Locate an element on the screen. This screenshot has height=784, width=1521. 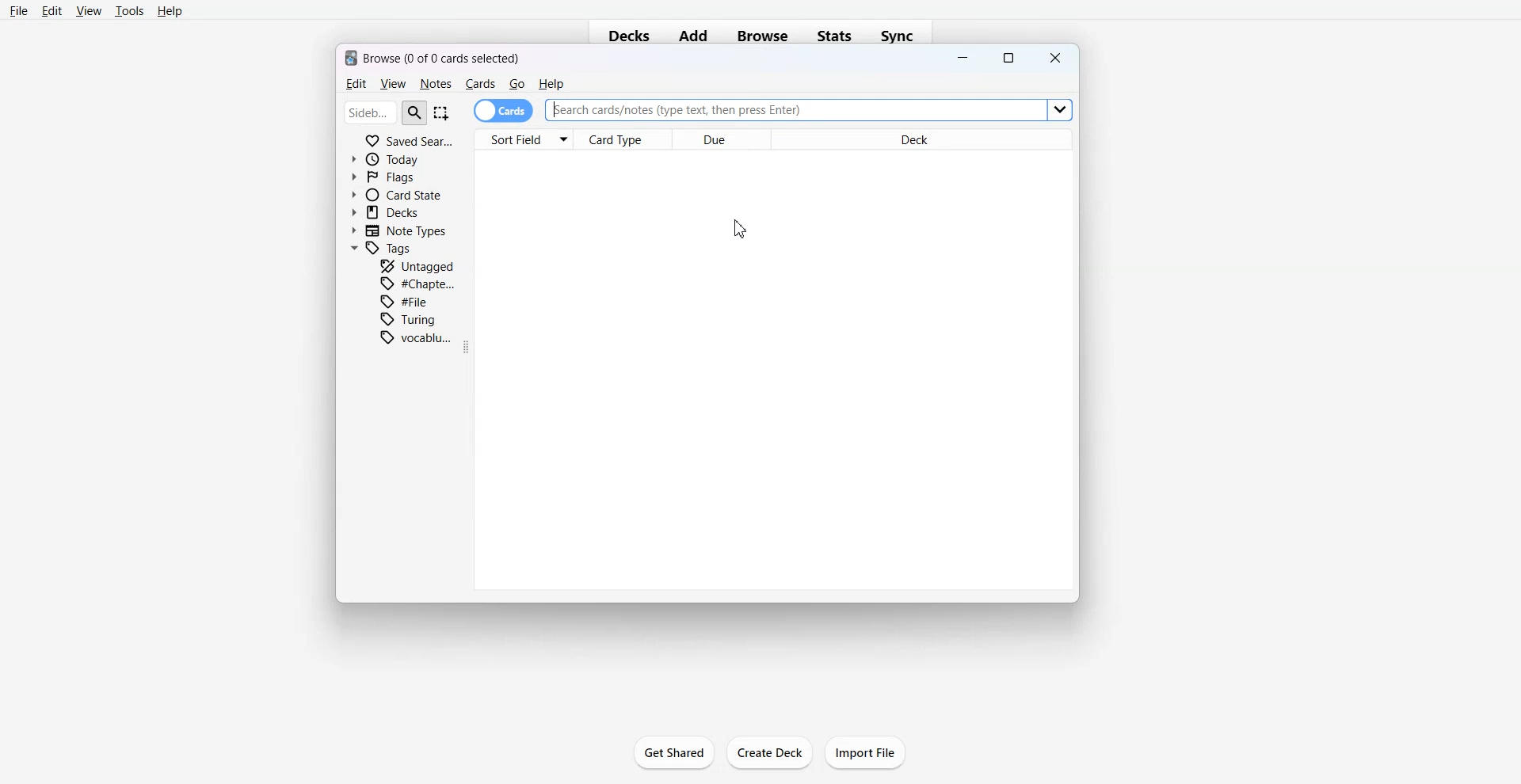
Deck is located at coordinates (921, 139).